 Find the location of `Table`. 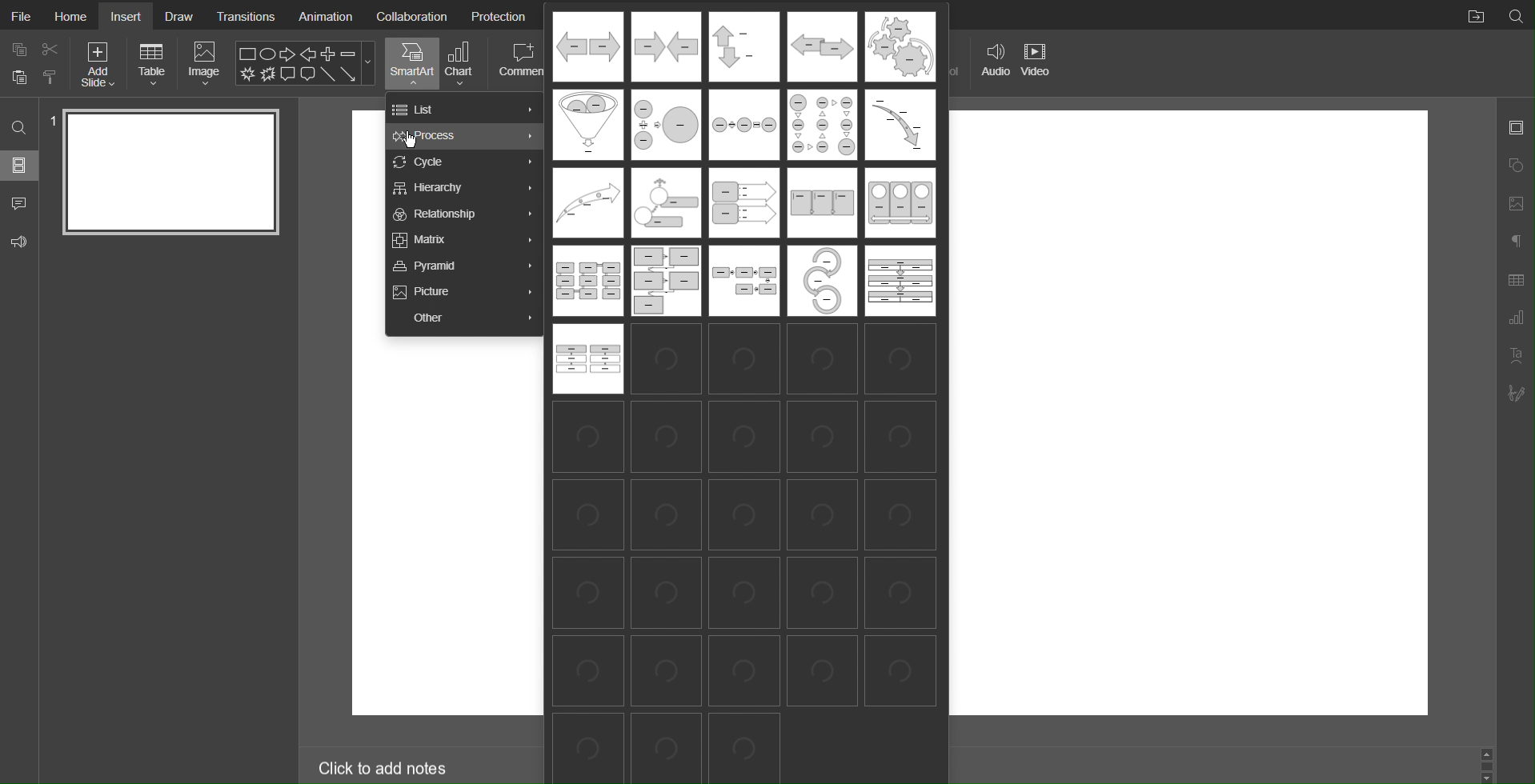

Table is located at coordinates (153, 64).